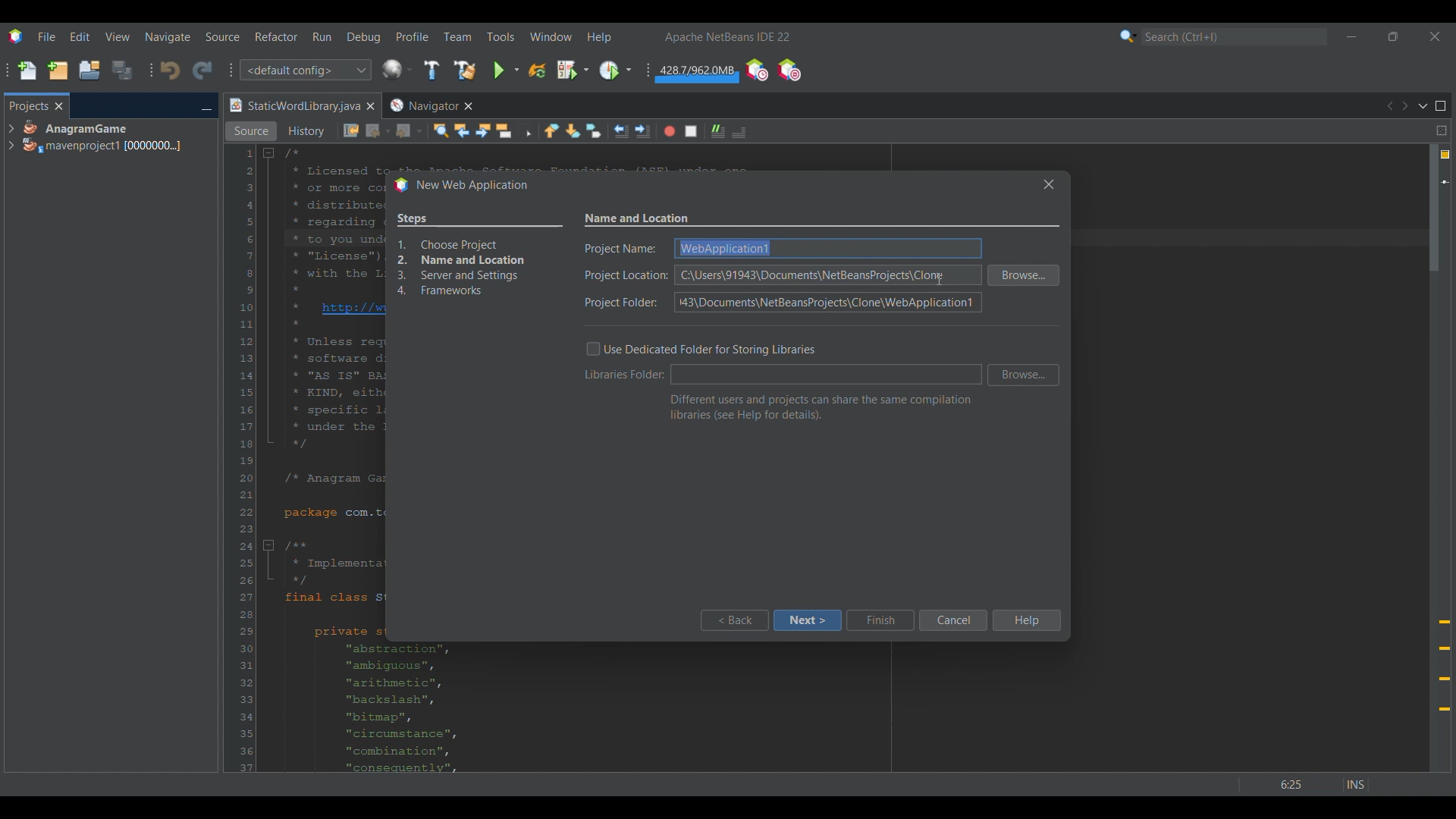 Image resolution: width=1456 pixels, height=819 pixels. I want to click on Browse folder for respective detail, so click(1024, 325).